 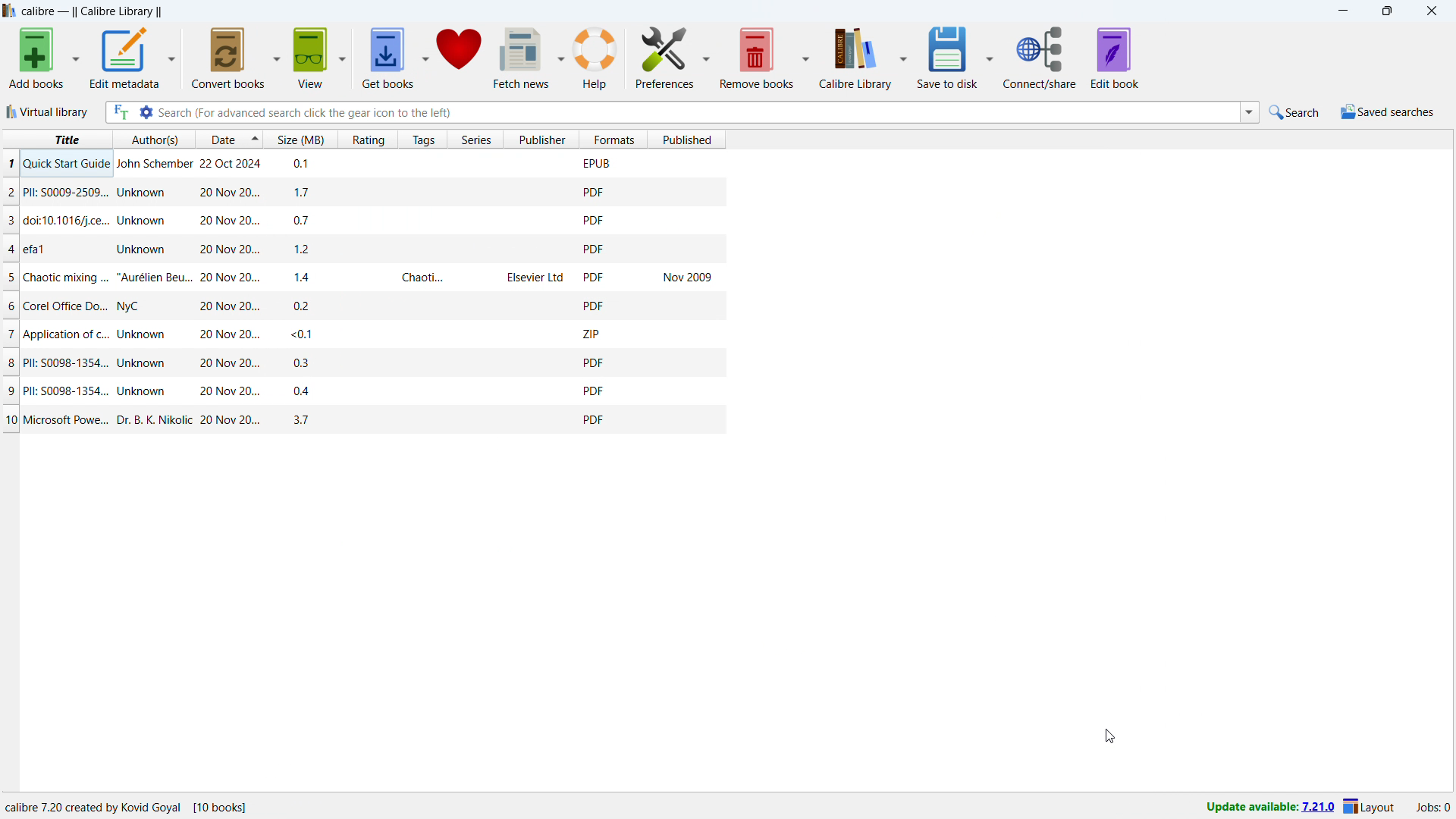 What do you see at coordinates (130, 139) in the screenshot?
I see `title author date` at bounding box center [130, 139].